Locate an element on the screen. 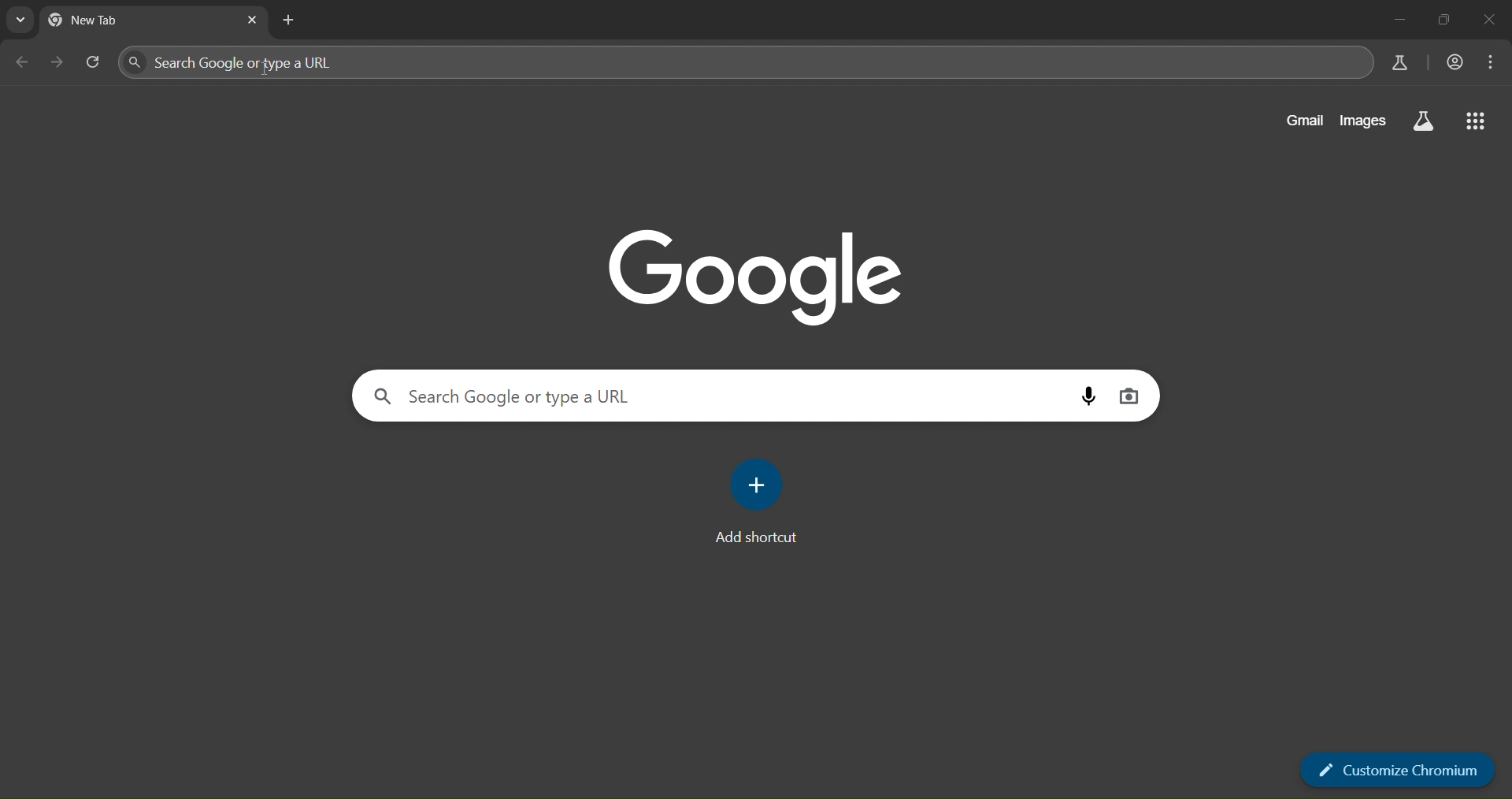 This screenshot has height=799, width=1512. current tab is located at coordinates (107, 20).